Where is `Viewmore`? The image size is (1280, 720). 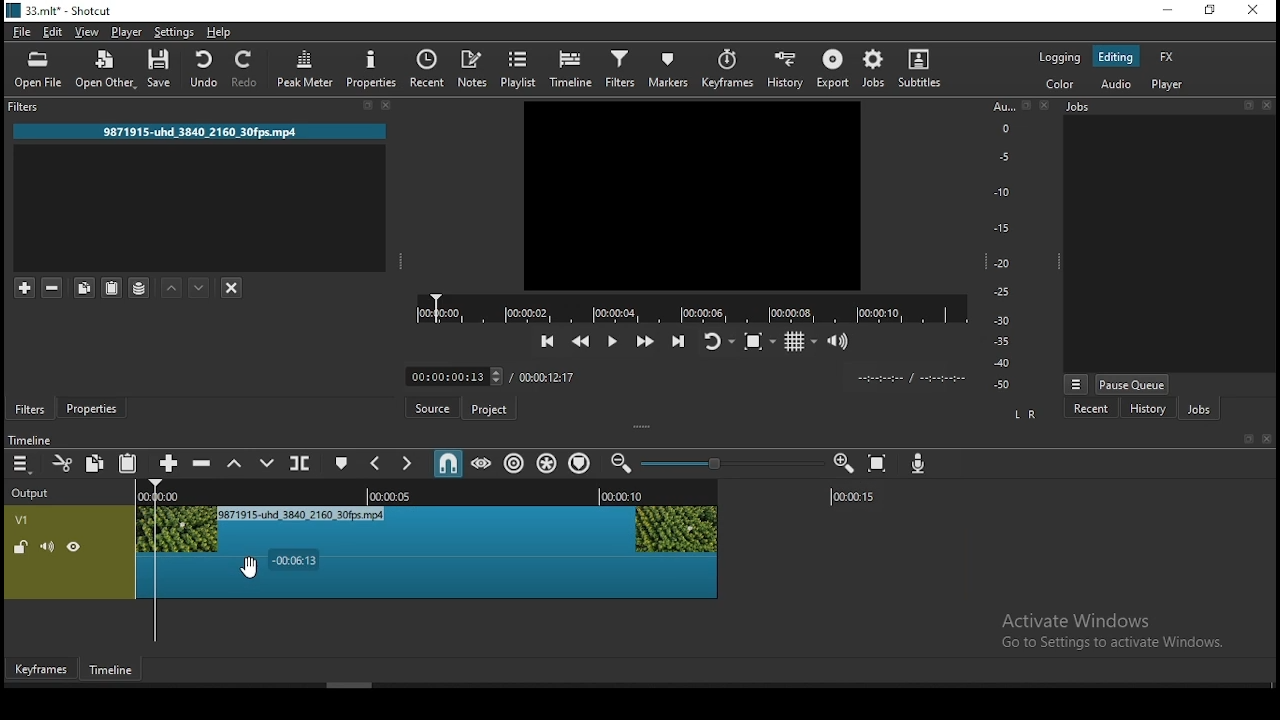
Viewmore is located at coordinates (1078, 384).